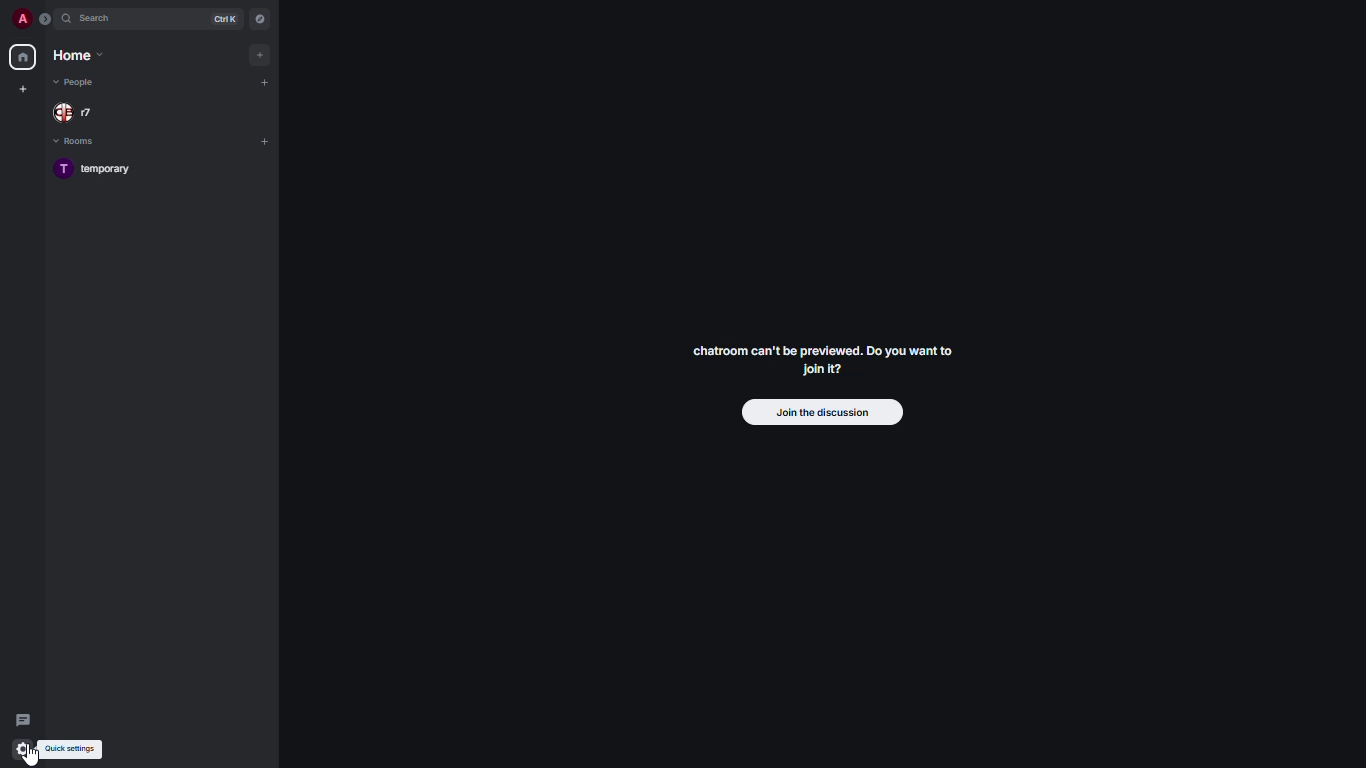 The image size is (1366, 768). I want to click on chatroom can't be previewed, so click(824, 357).